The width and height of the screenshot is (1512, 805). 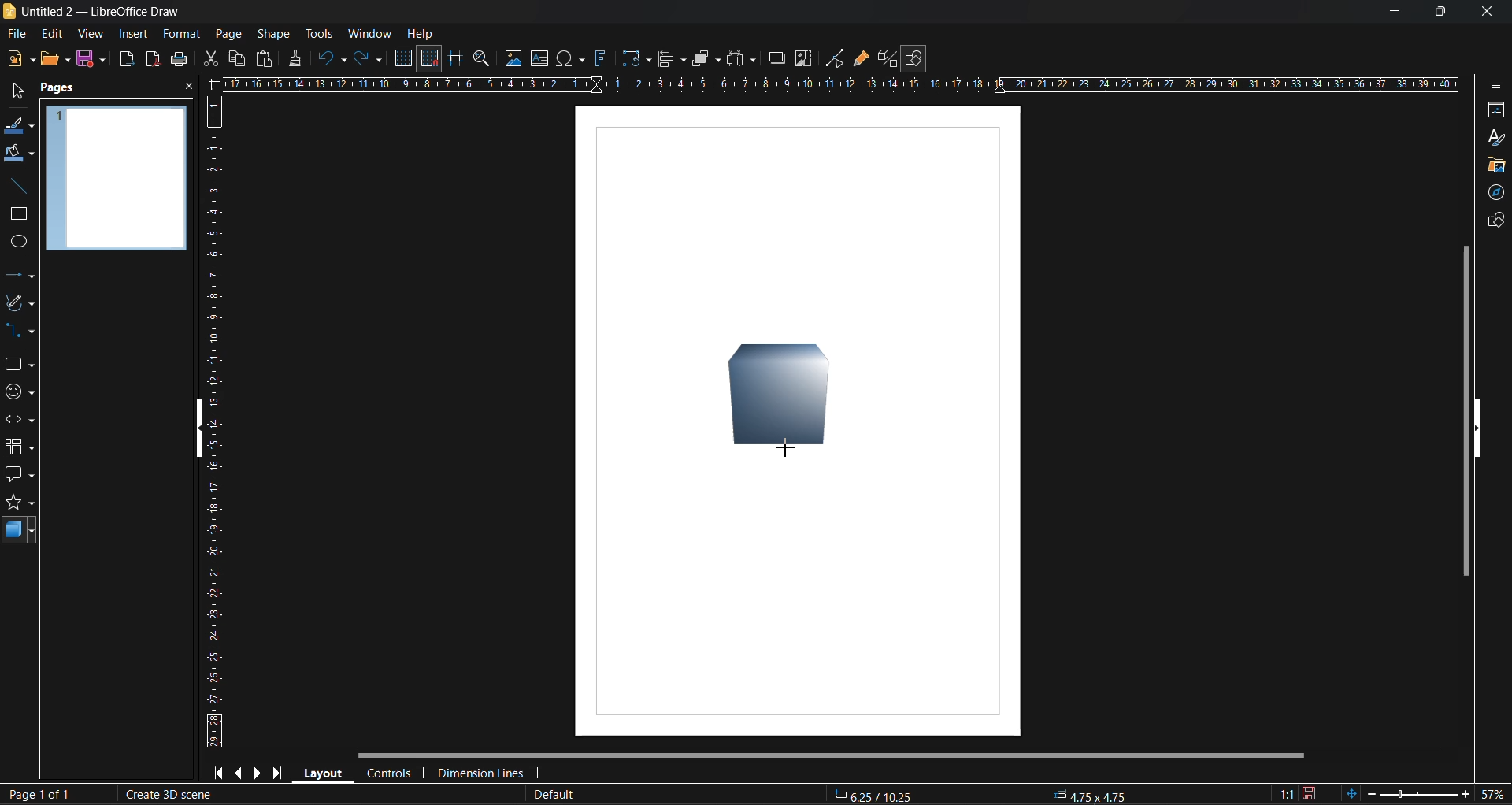 I want to click on pages, so click(x=62, y=88).